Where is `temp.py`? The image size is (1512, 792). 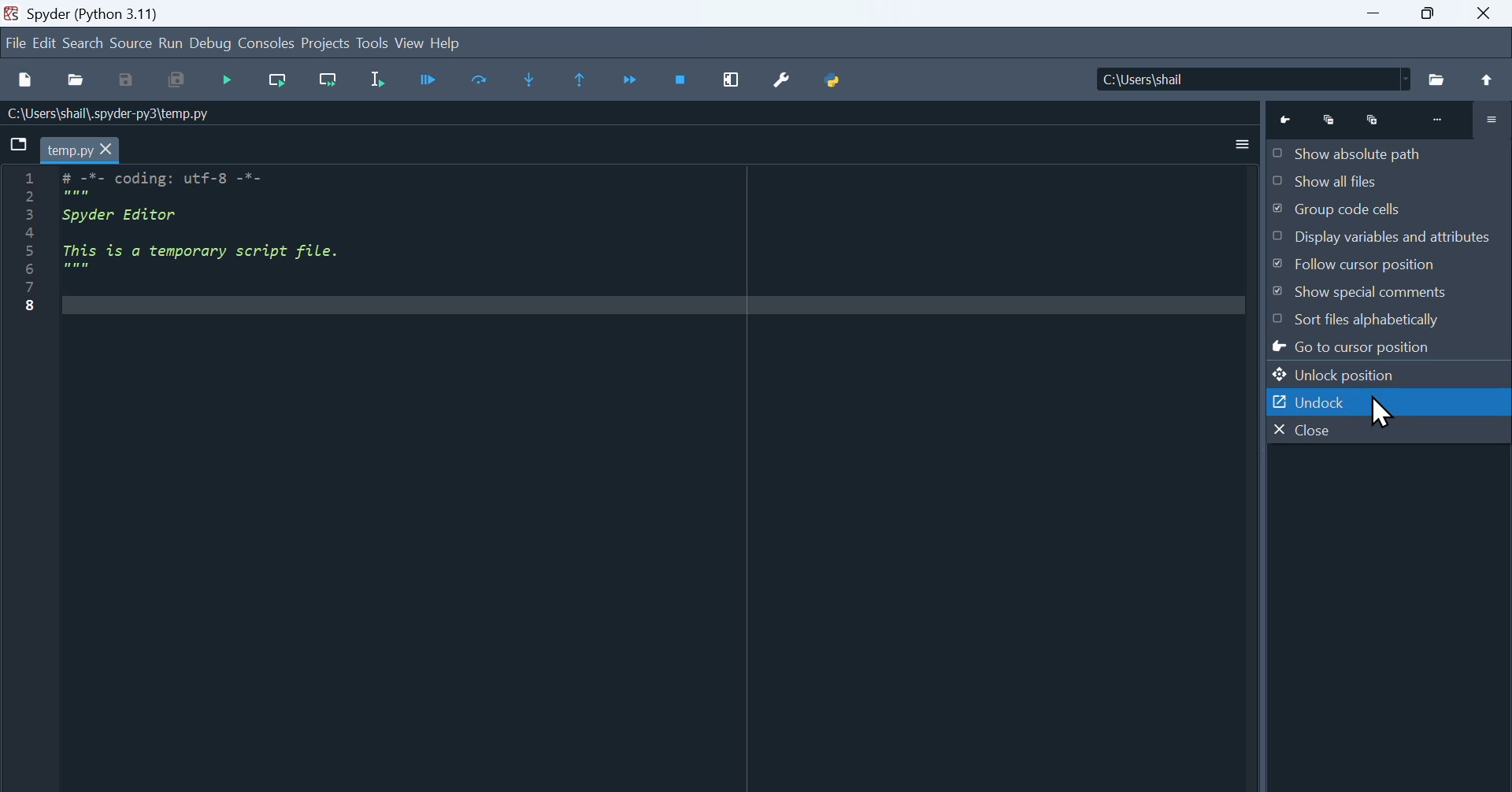
temp.py is located at coordinates (80, 149).